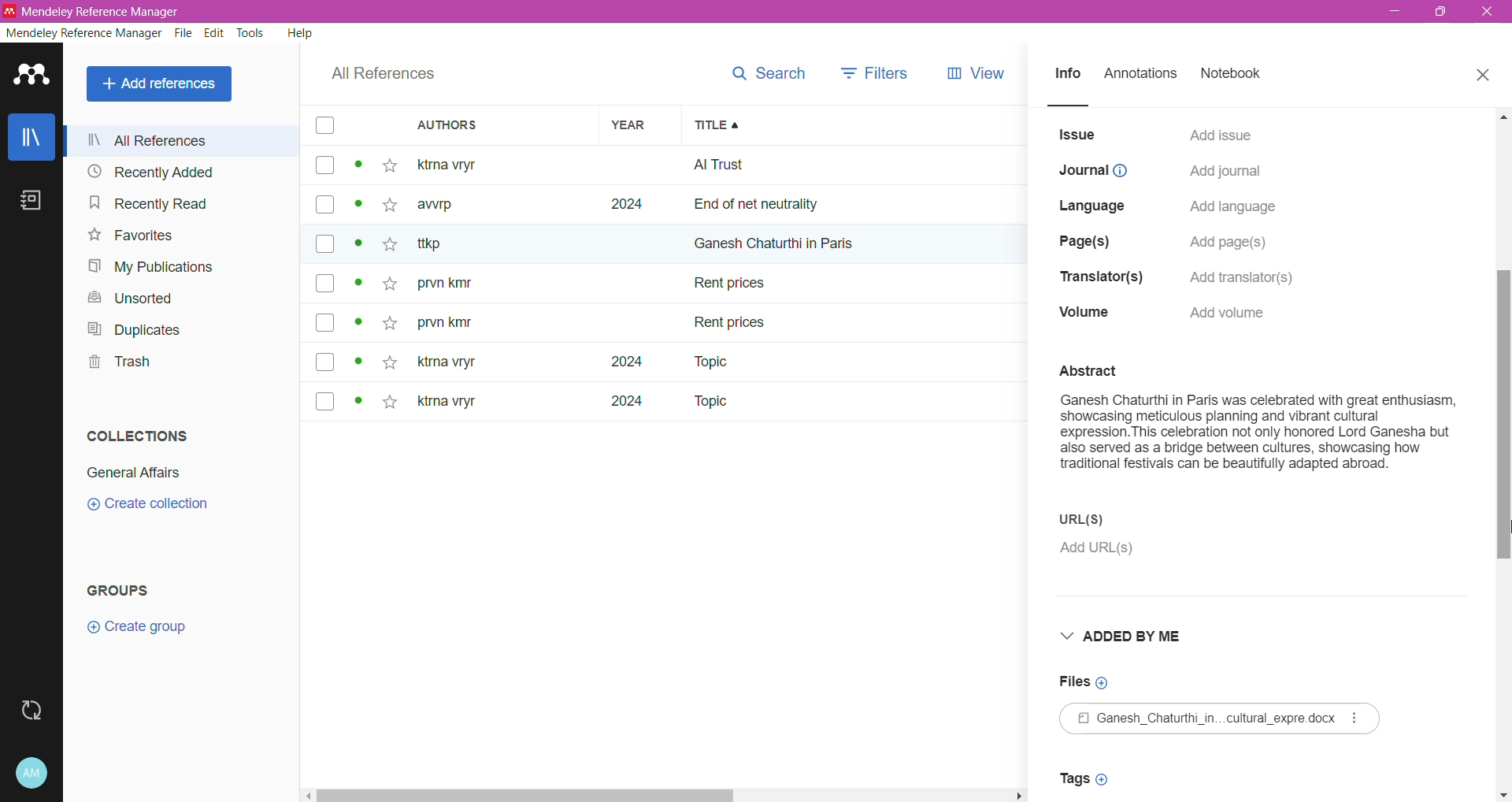 Image resolution: width=1512 pixels, height=802 pixels. What do you see at coordinates (94, 11) in the screenshot?
I see `Application Name` at bounding box center [94, 11].